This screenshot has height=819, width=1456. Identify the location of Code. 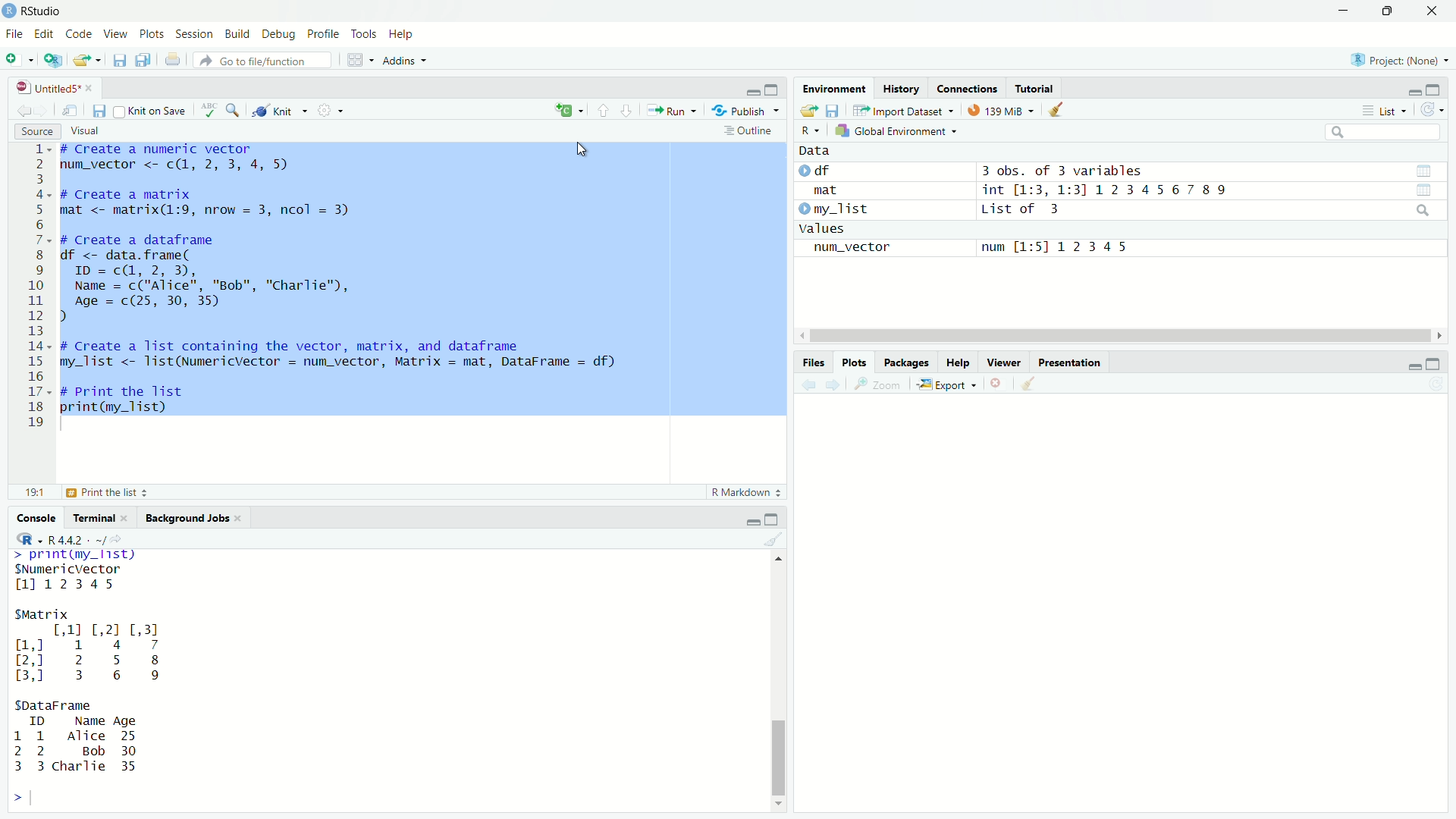
(80, 35).